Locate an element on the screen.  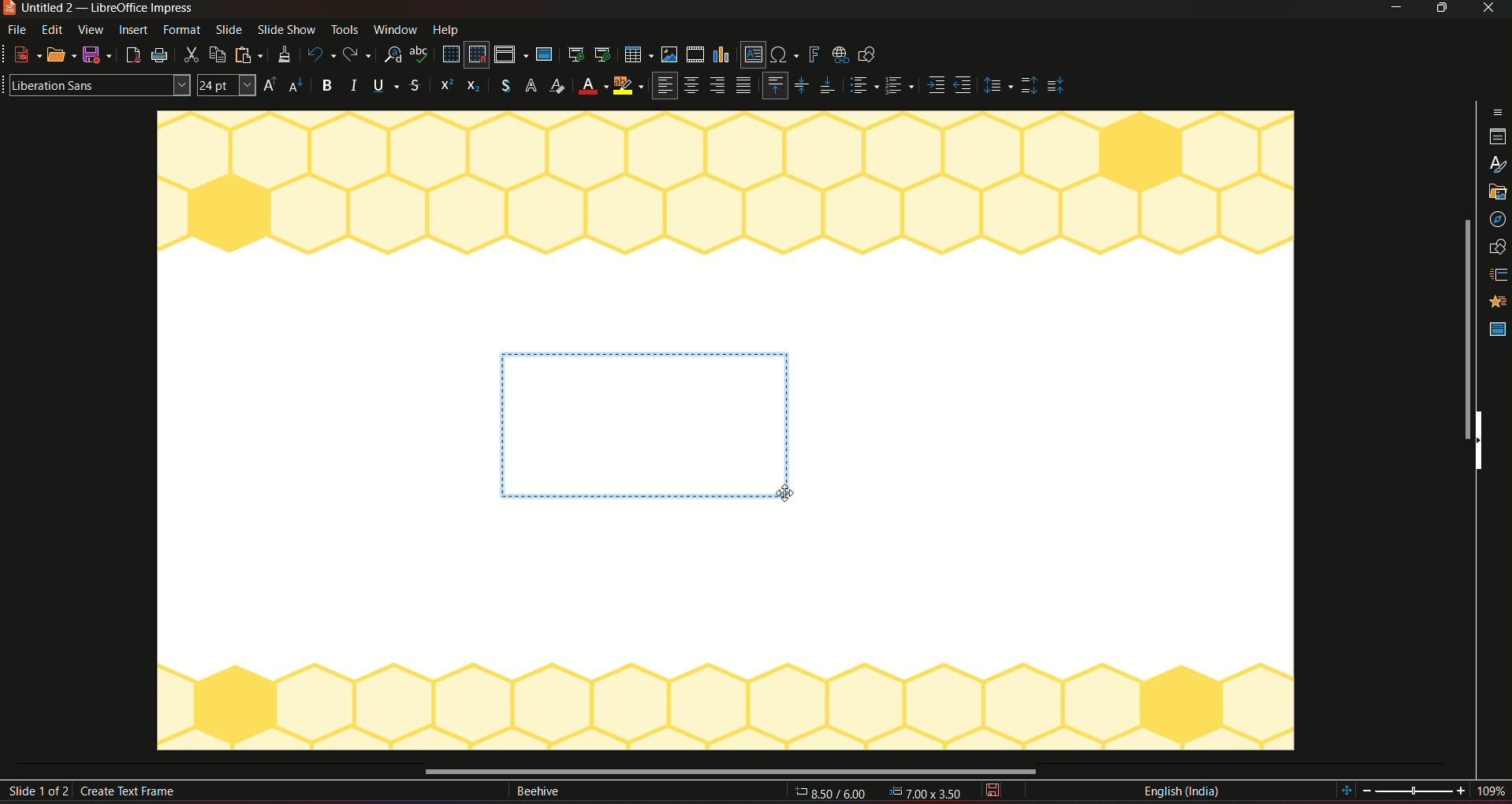
Align top is located at coordinates (774, 84).